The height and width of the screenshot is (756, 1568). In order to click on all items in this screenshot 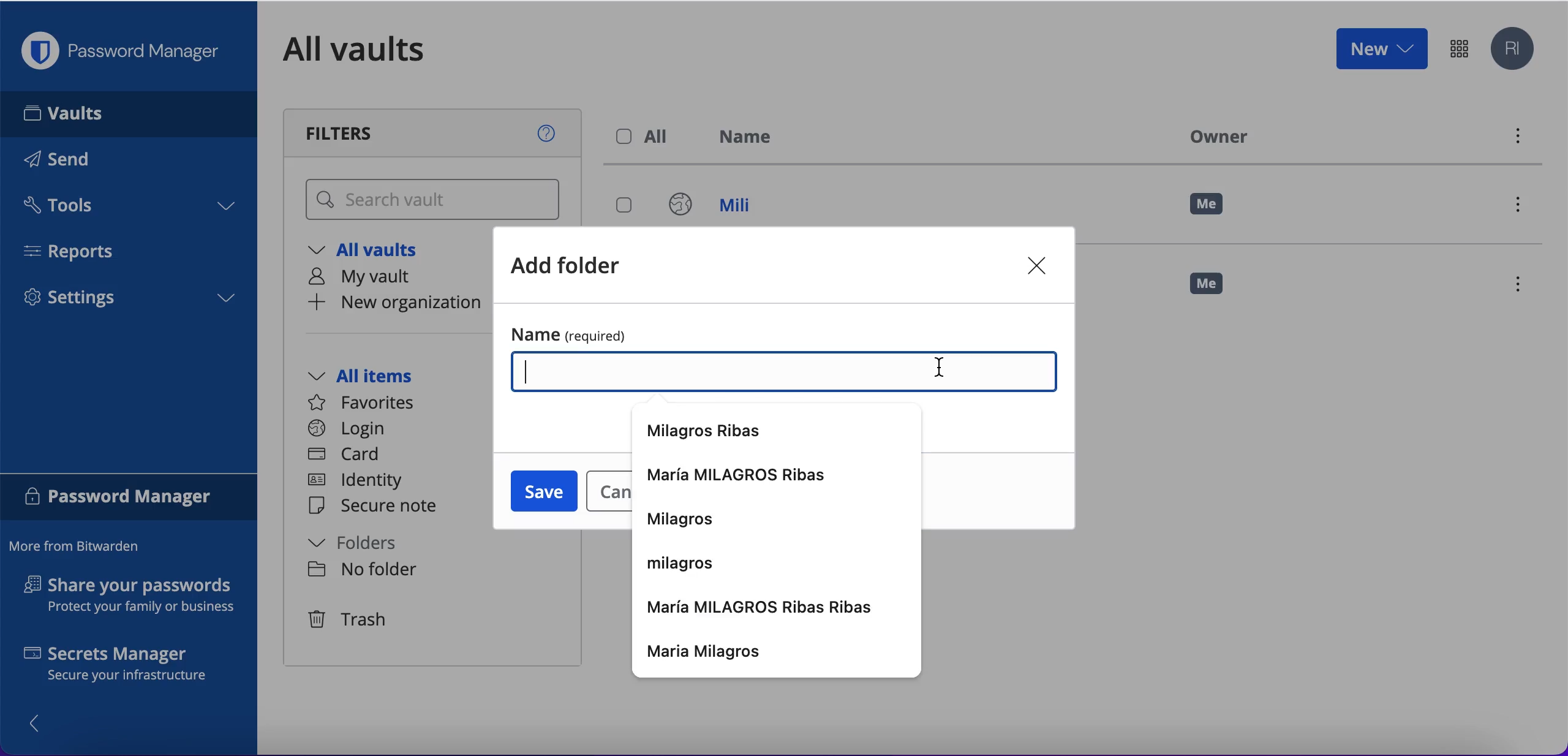, I will do `click(379, 377)`.